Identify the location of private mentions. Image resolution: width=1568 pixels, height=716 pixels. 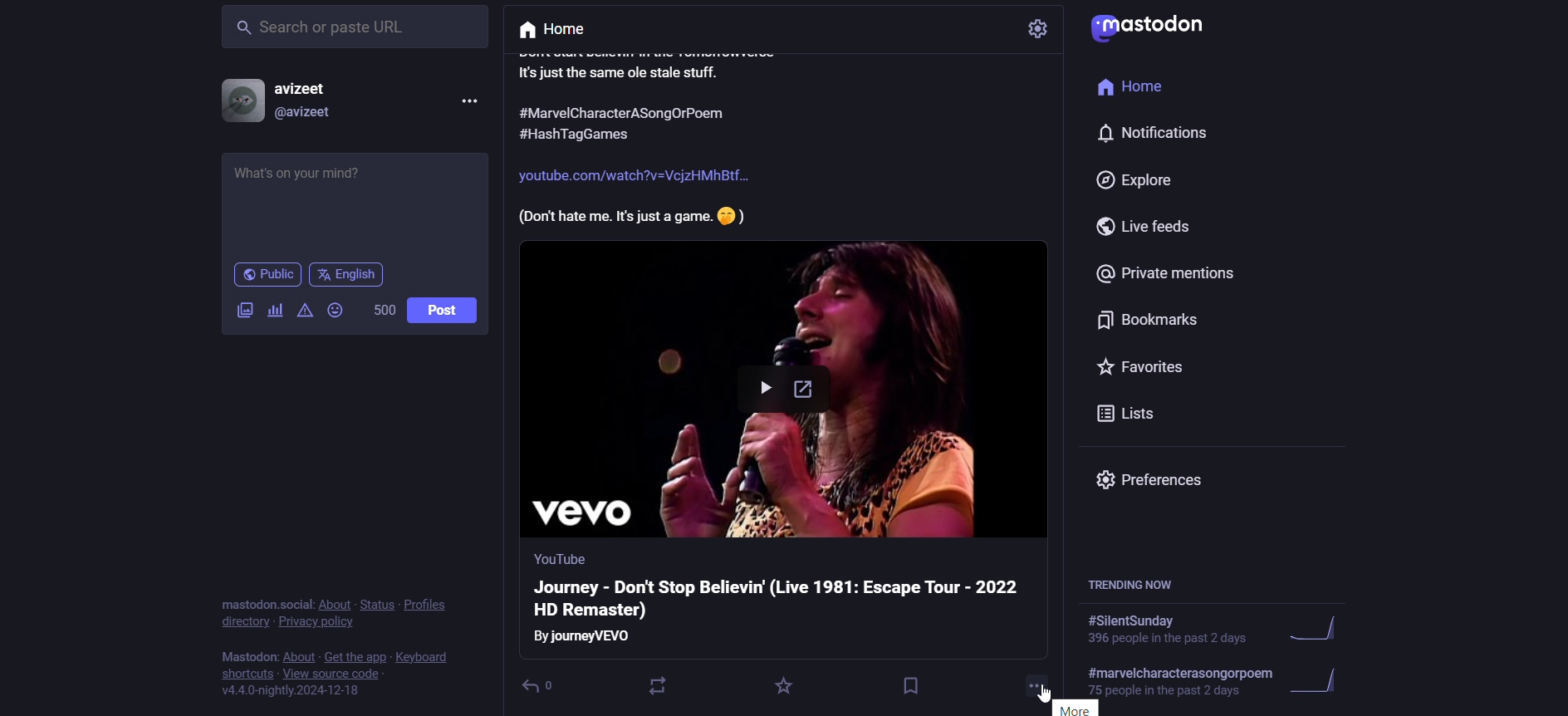
(1169, 274).